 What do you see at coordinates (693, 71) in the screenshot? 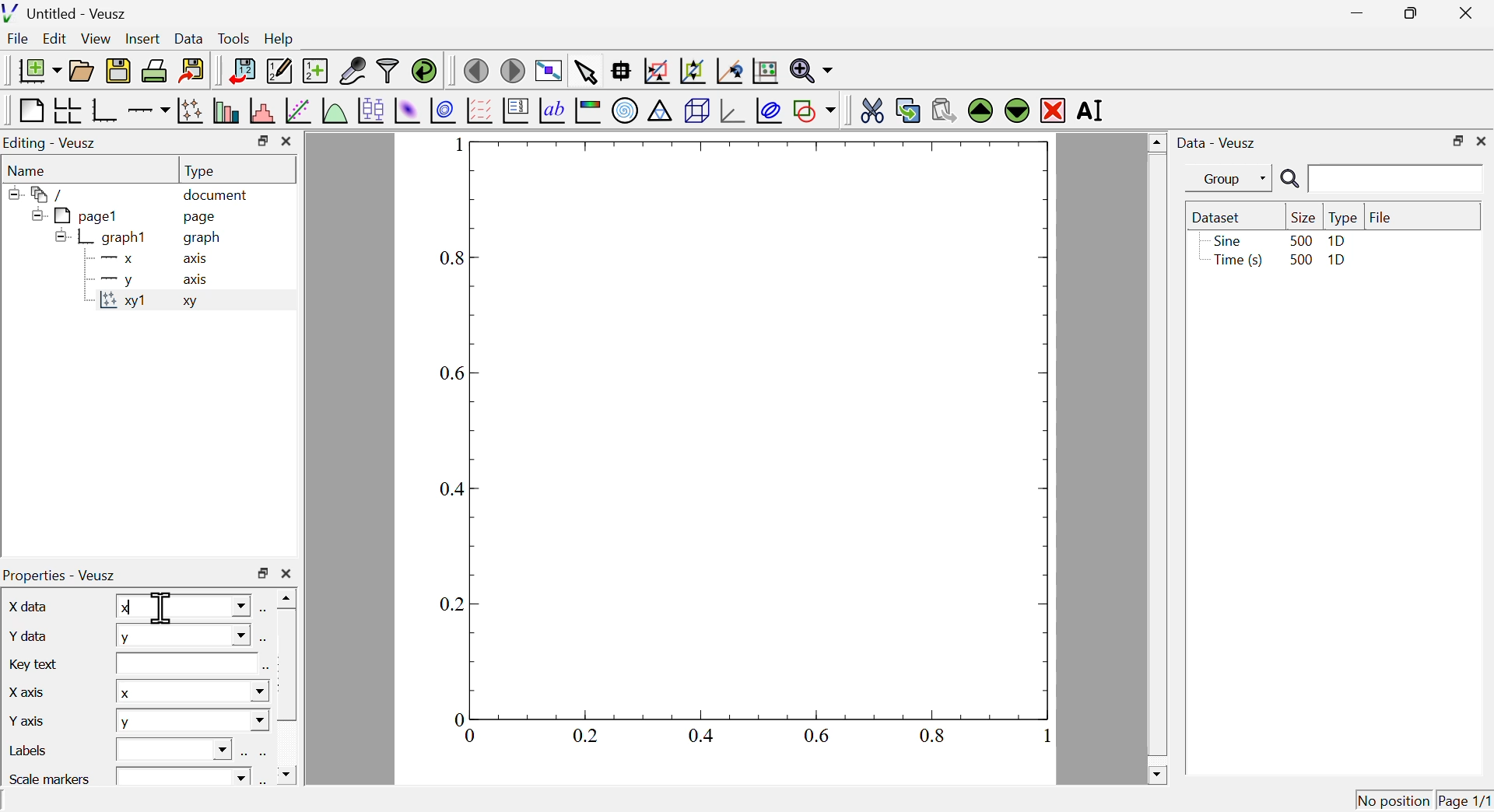
I see `zoom out of graph axes` at bounding box center [693, 71].